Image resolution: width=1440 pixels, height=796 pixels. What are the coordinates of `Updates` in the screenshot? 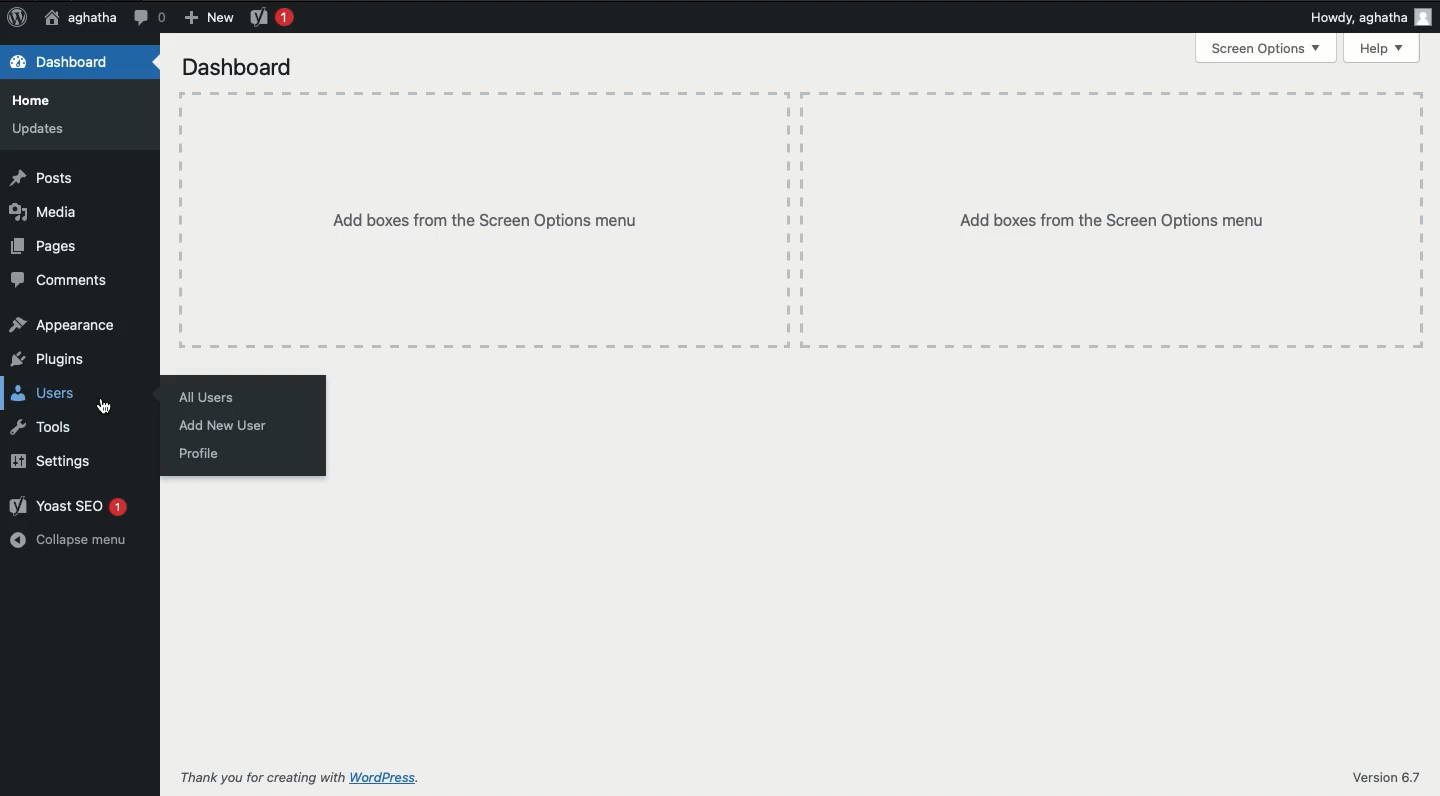 It's located at (40, 127).